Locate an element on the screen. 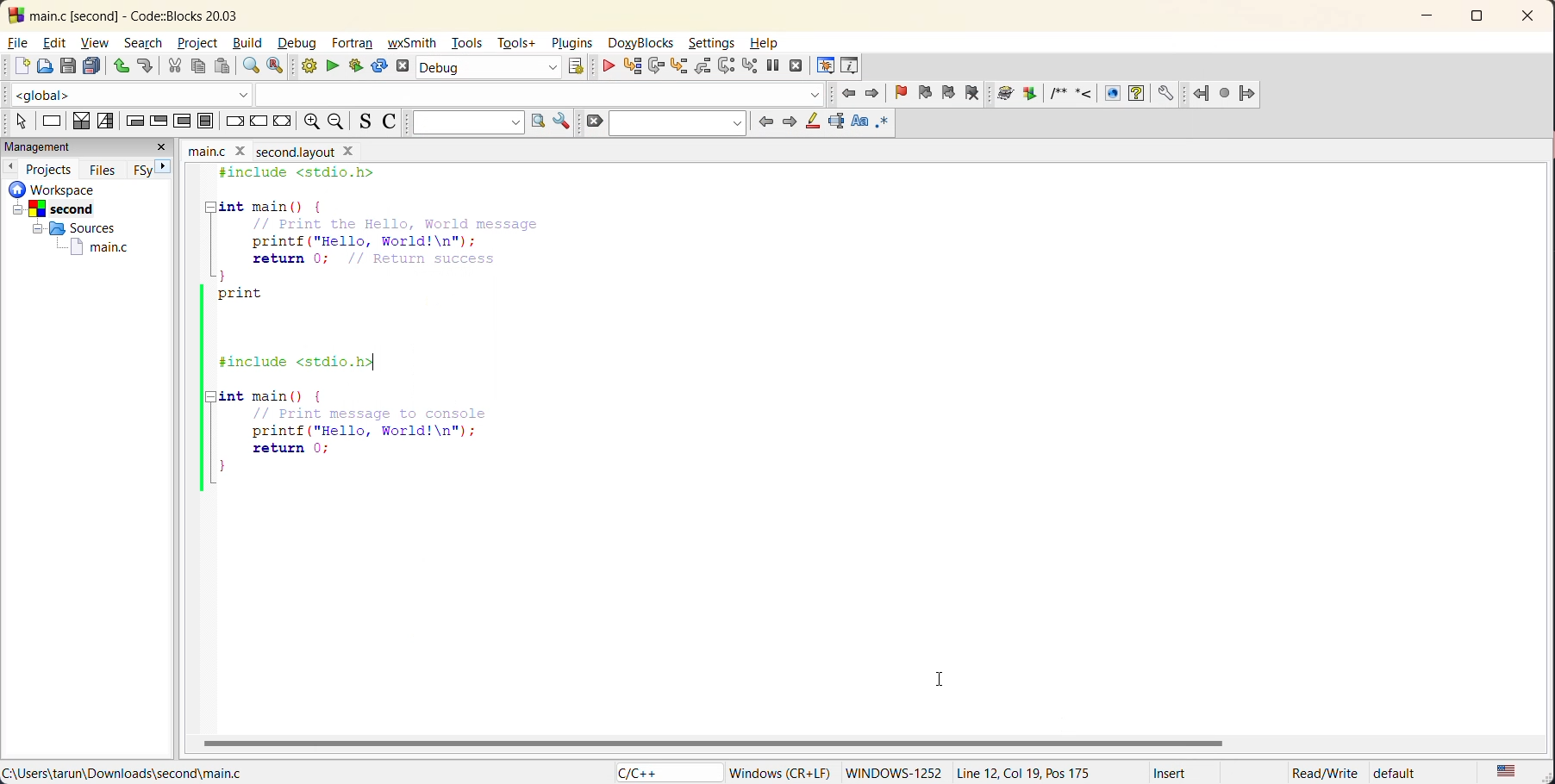 The image size is (1555, 784). workspace is located at coordinates (68, 189).